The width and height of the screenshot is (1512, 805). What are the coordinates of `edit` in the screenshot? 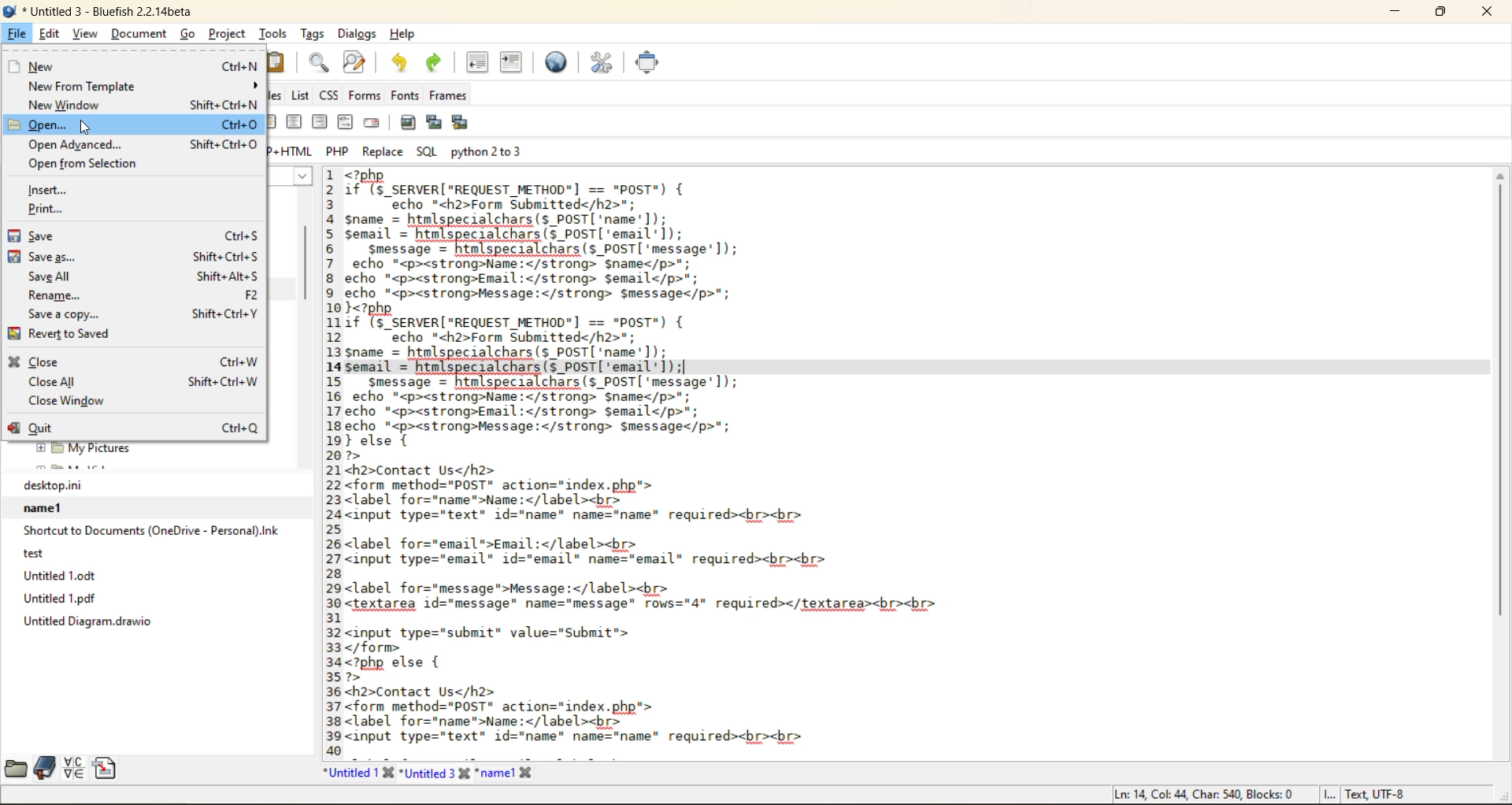 It's located at (50, 35).